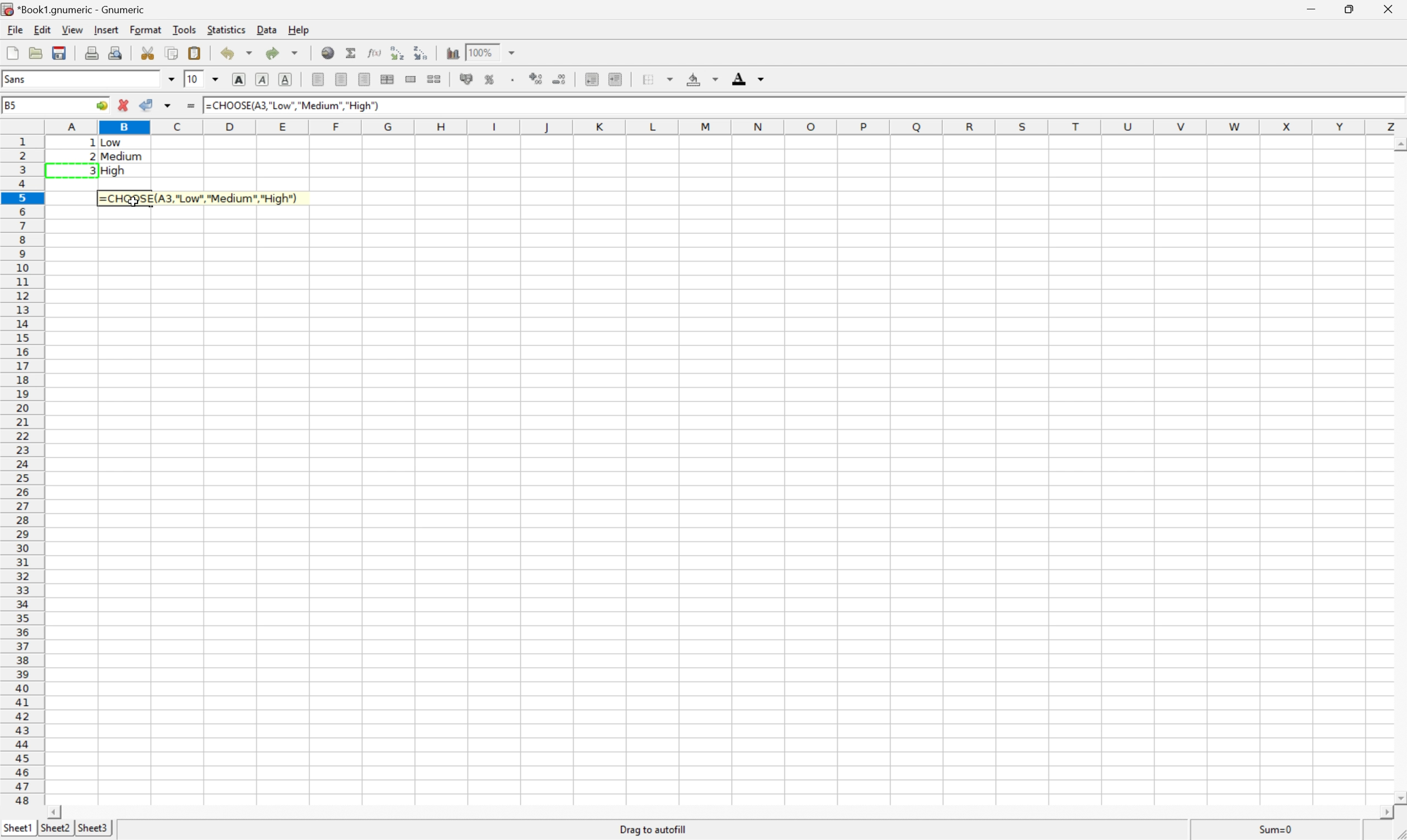 The image size is (1407, 840). Describe the element at coordinates (173, 54) in the screenshot. I see `Copy selection` at that location.